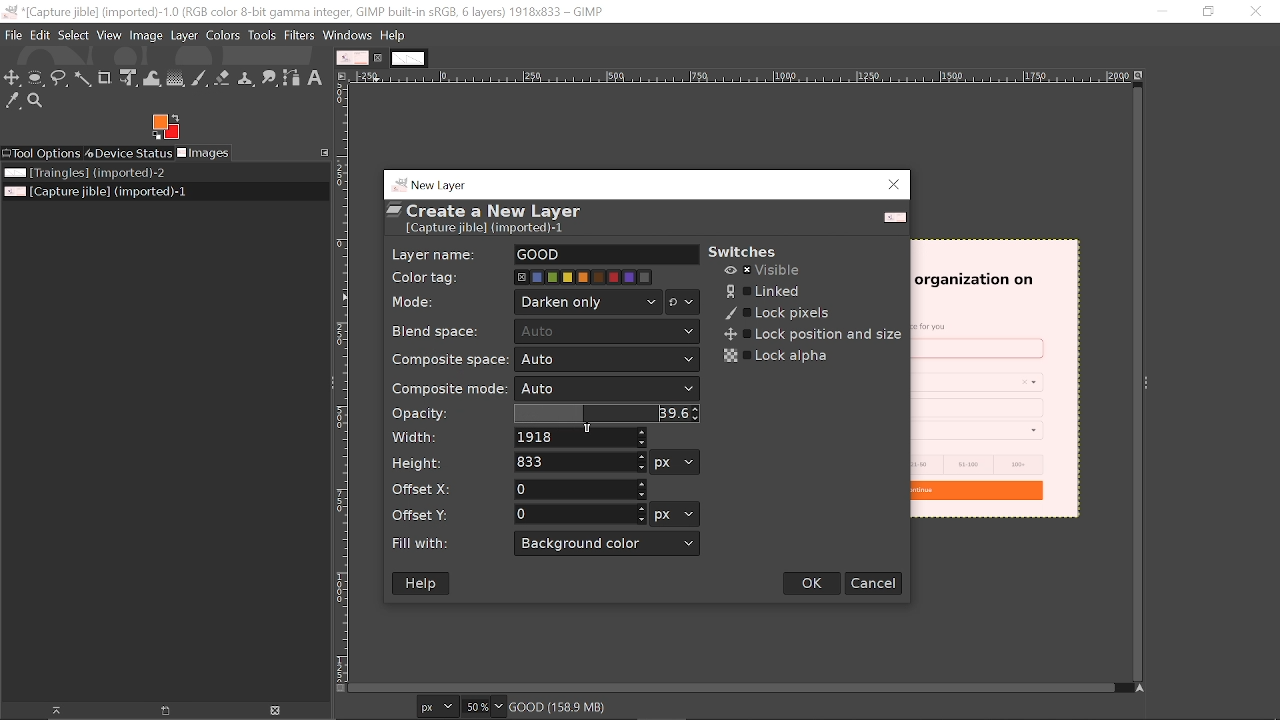 The width and height of the screenshot is (1280, 720). Describe the element at coordinates (393, 35) in the screenshot. I see `` at that location.